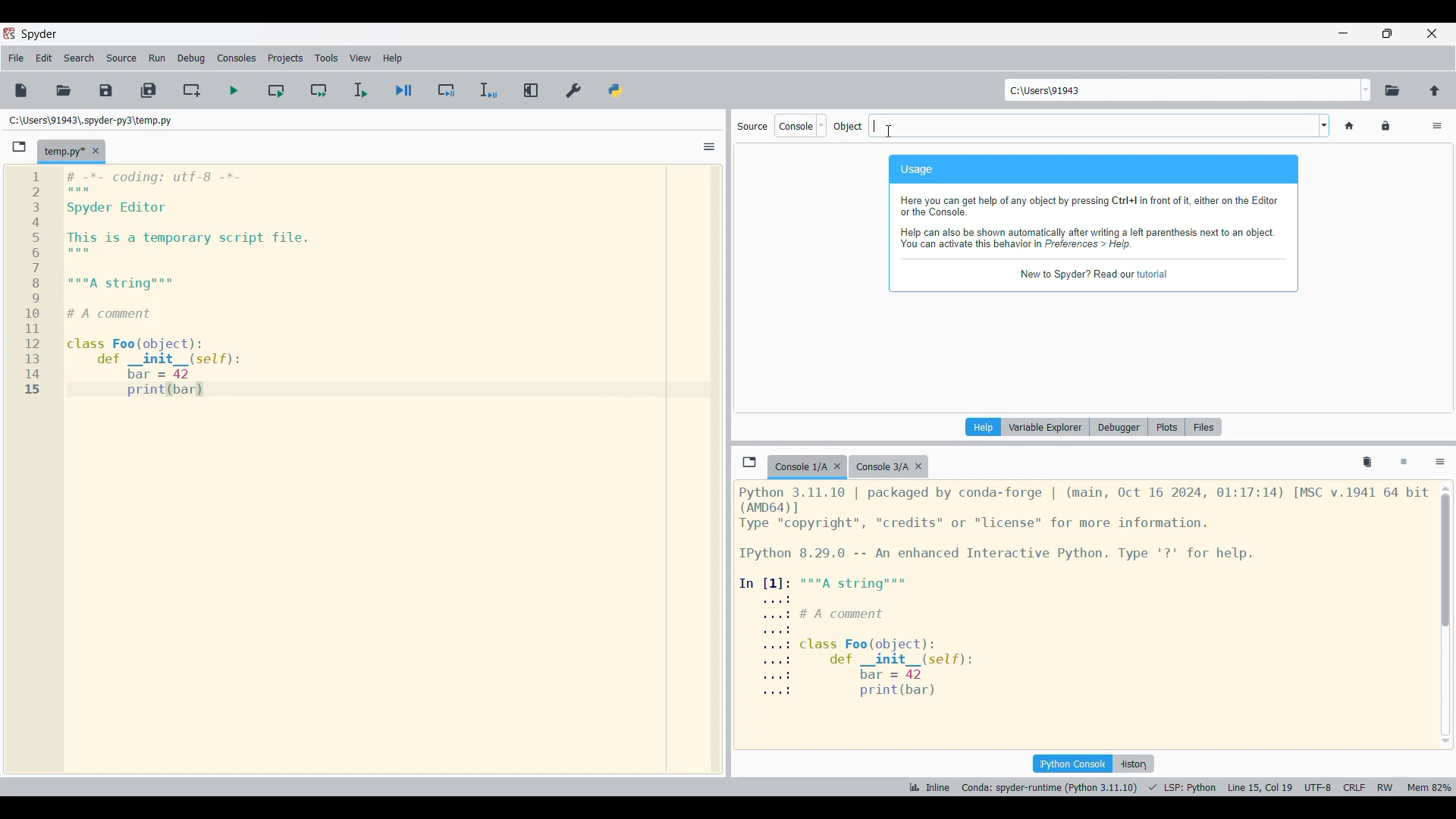 The width and height of the screenshot is (1456, 819). I want to click on Current tab, so click(62, 152).